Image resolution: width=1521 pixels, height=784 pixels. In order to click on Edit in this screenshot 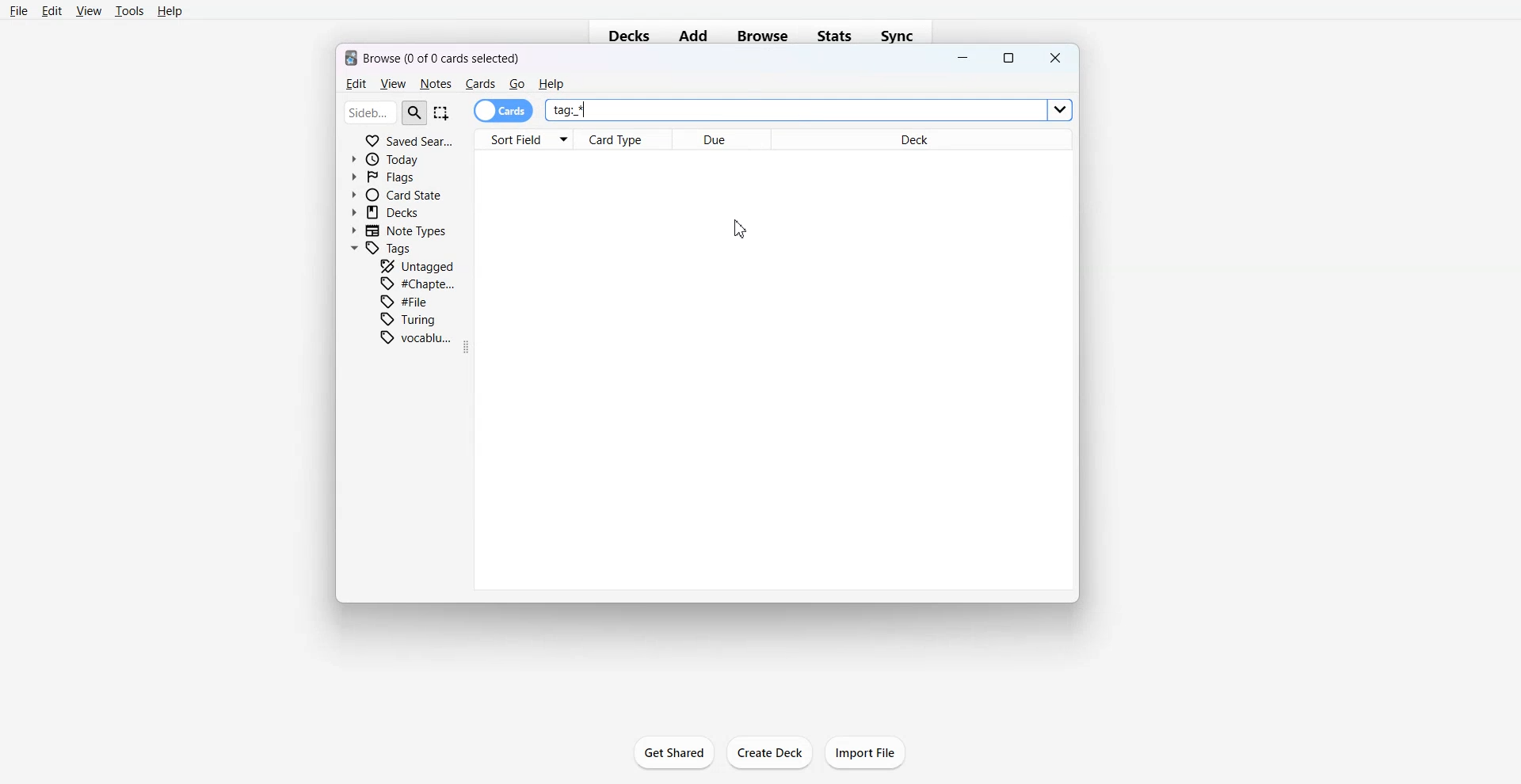, I will do `click(354, 84)`.